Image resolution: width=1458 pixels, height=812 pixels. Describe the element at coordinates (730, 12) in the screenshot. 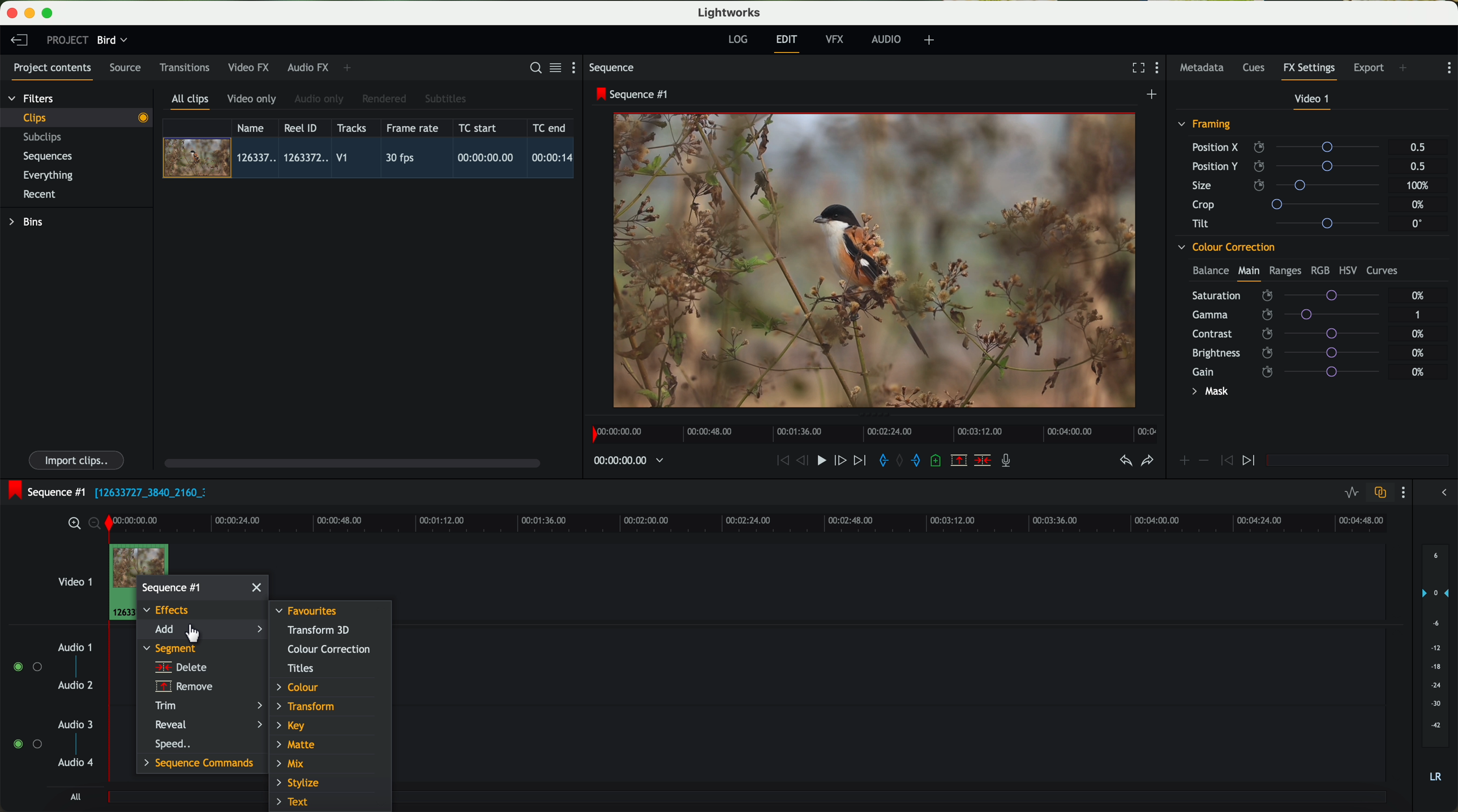

I see `Lightworks` at that location.